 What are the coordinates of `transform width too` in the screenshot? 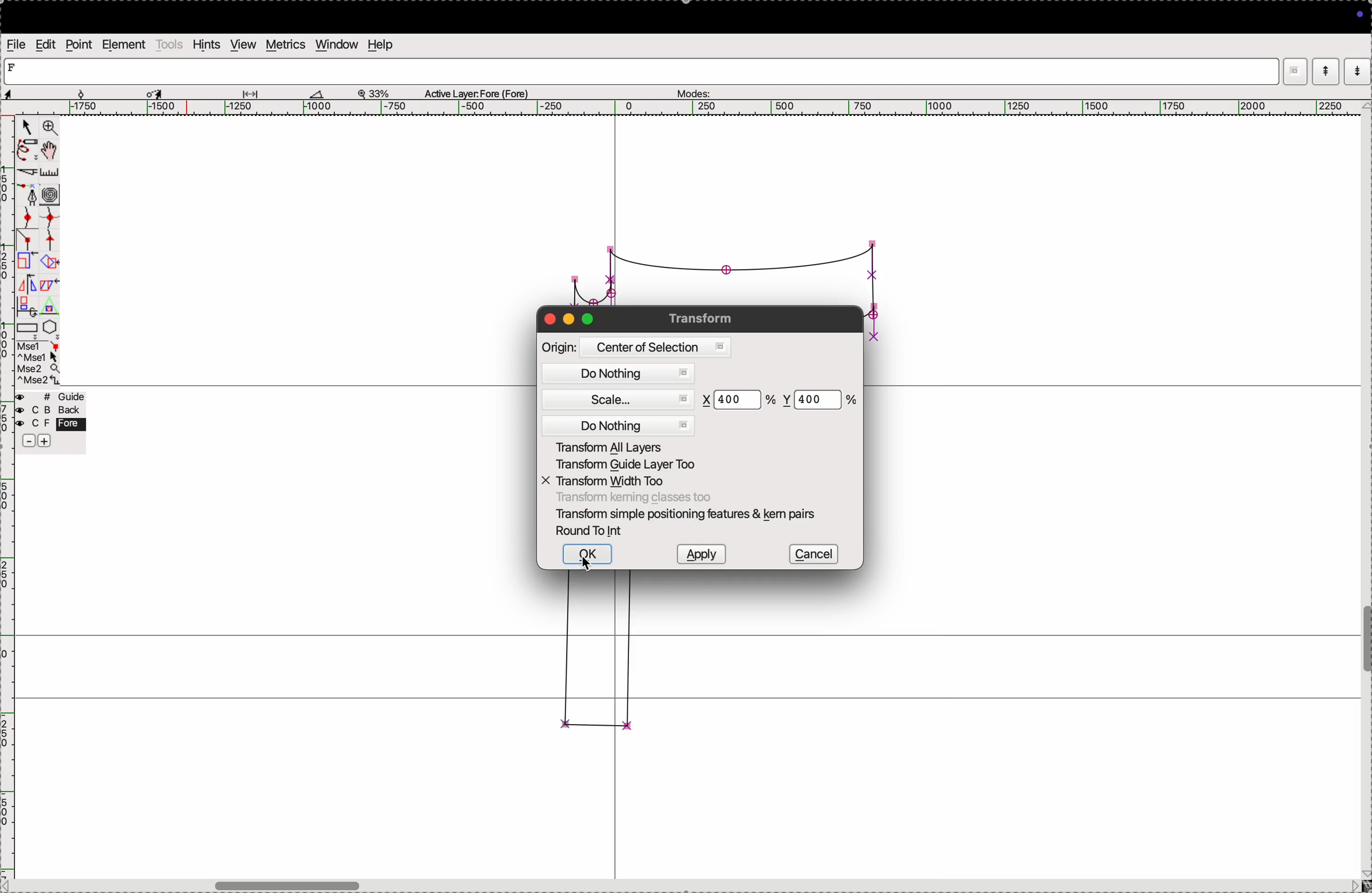 It's located at (612, 482).